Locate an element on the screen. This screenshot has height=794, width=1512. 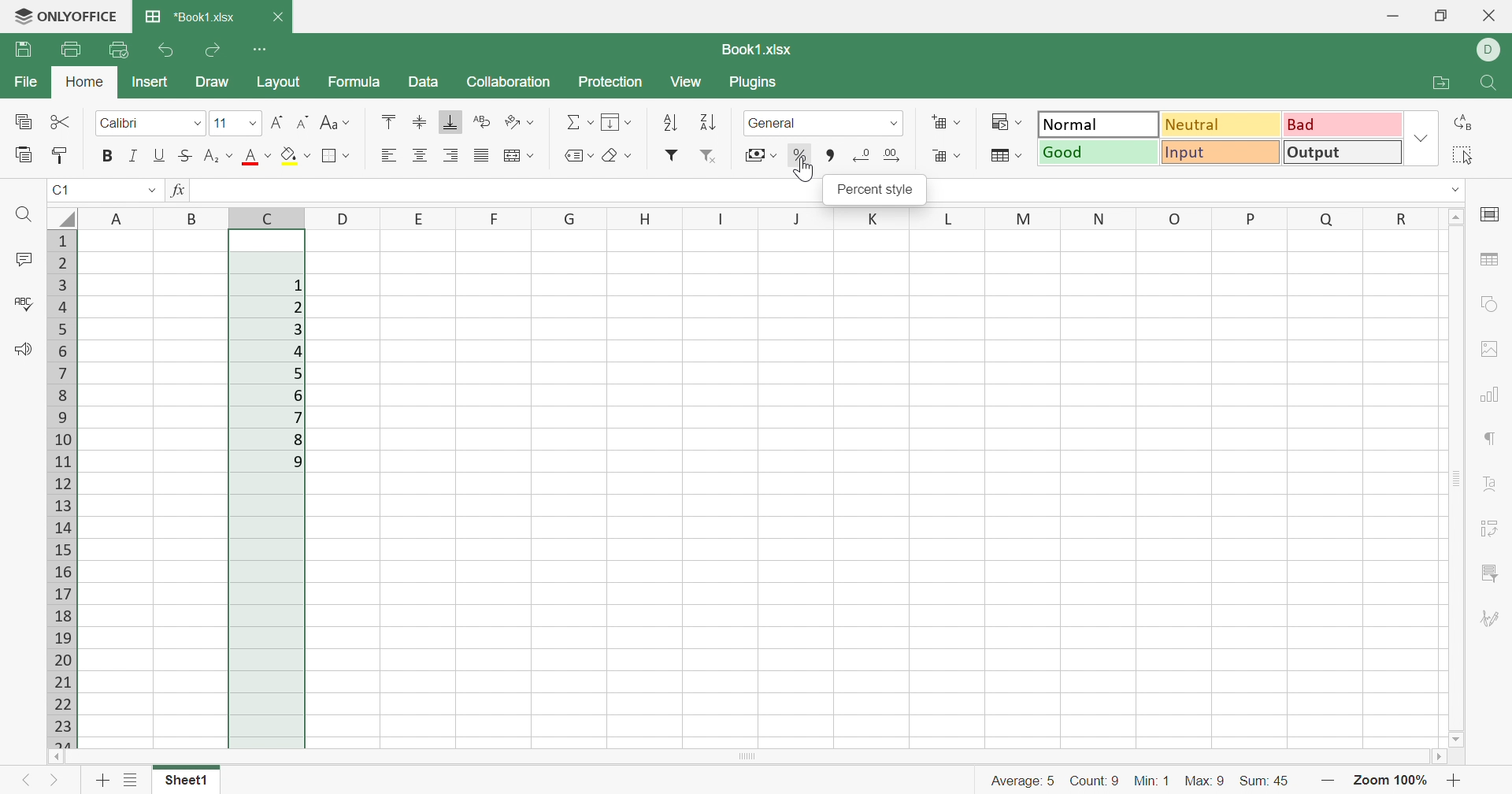
Insert is located at coordinates (150, 83).